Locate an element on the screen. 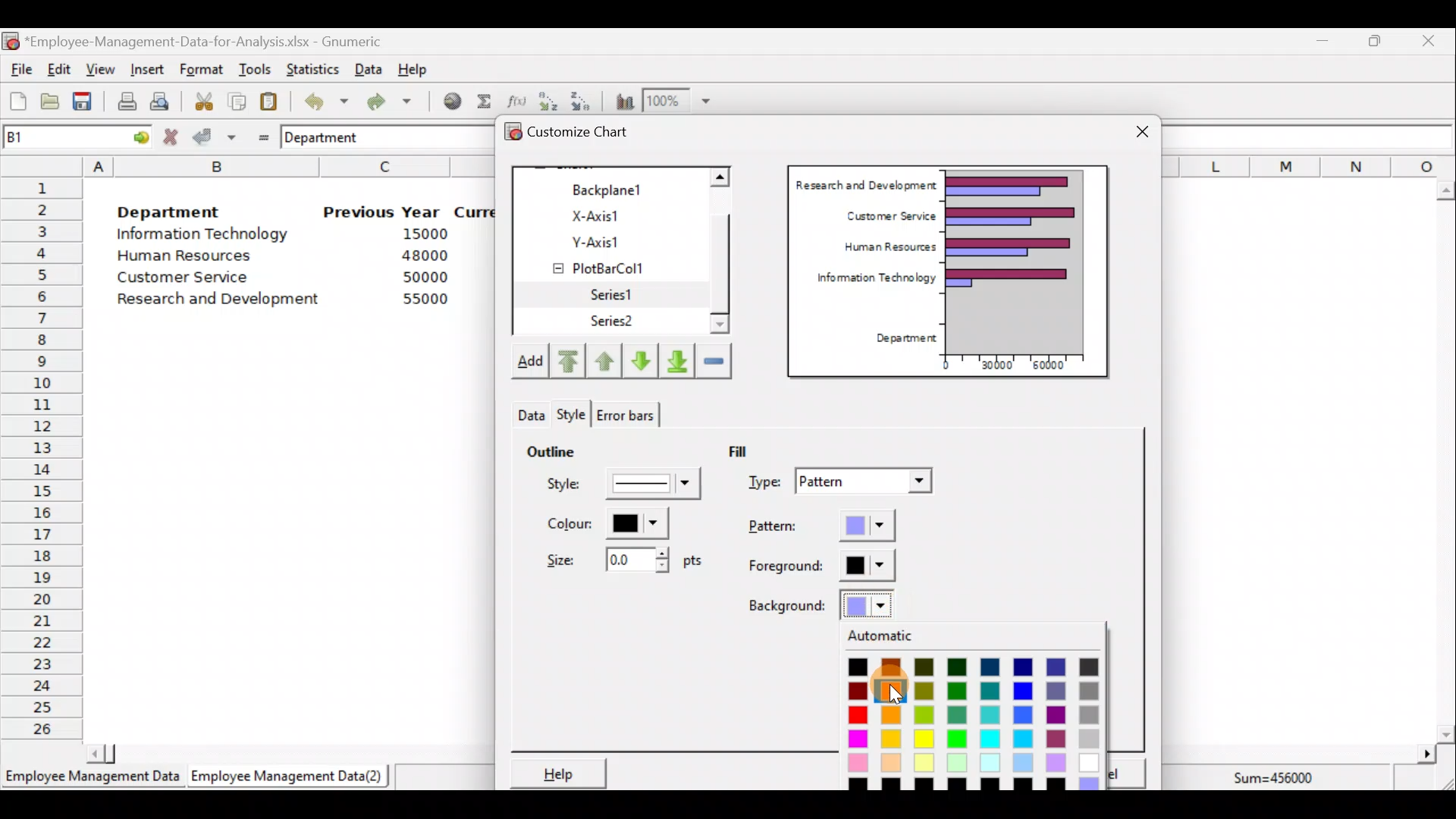 The image size is (1456, 819). Help is located at coordinates (556, 773).